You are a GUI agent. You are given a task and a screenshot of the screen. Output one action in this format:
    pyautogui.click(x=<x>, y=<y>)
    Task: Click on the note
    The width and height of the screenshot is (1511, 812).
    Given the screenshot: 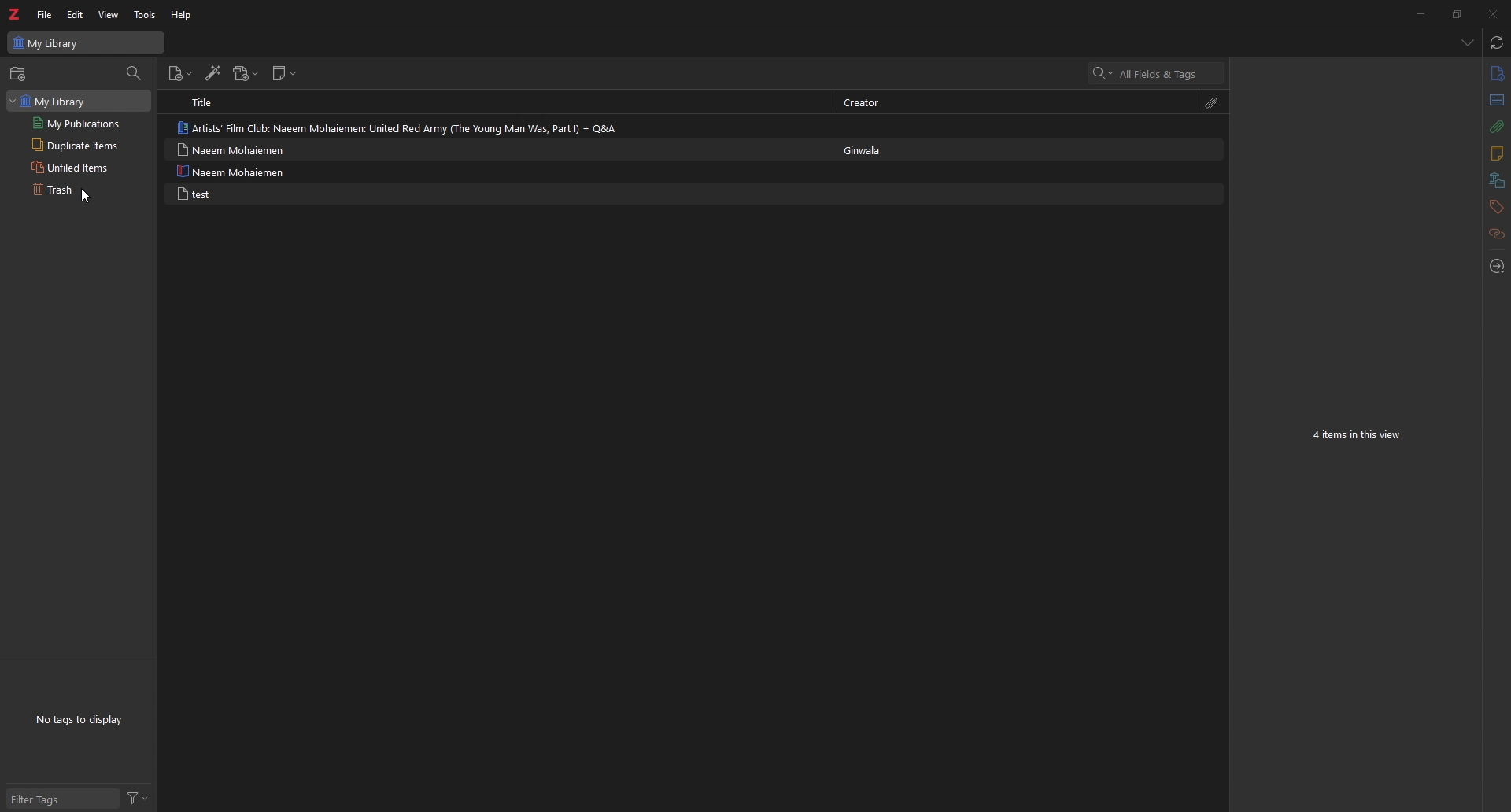 What is the action you would take?
    pyautogui.click(x=399, y=127)
    